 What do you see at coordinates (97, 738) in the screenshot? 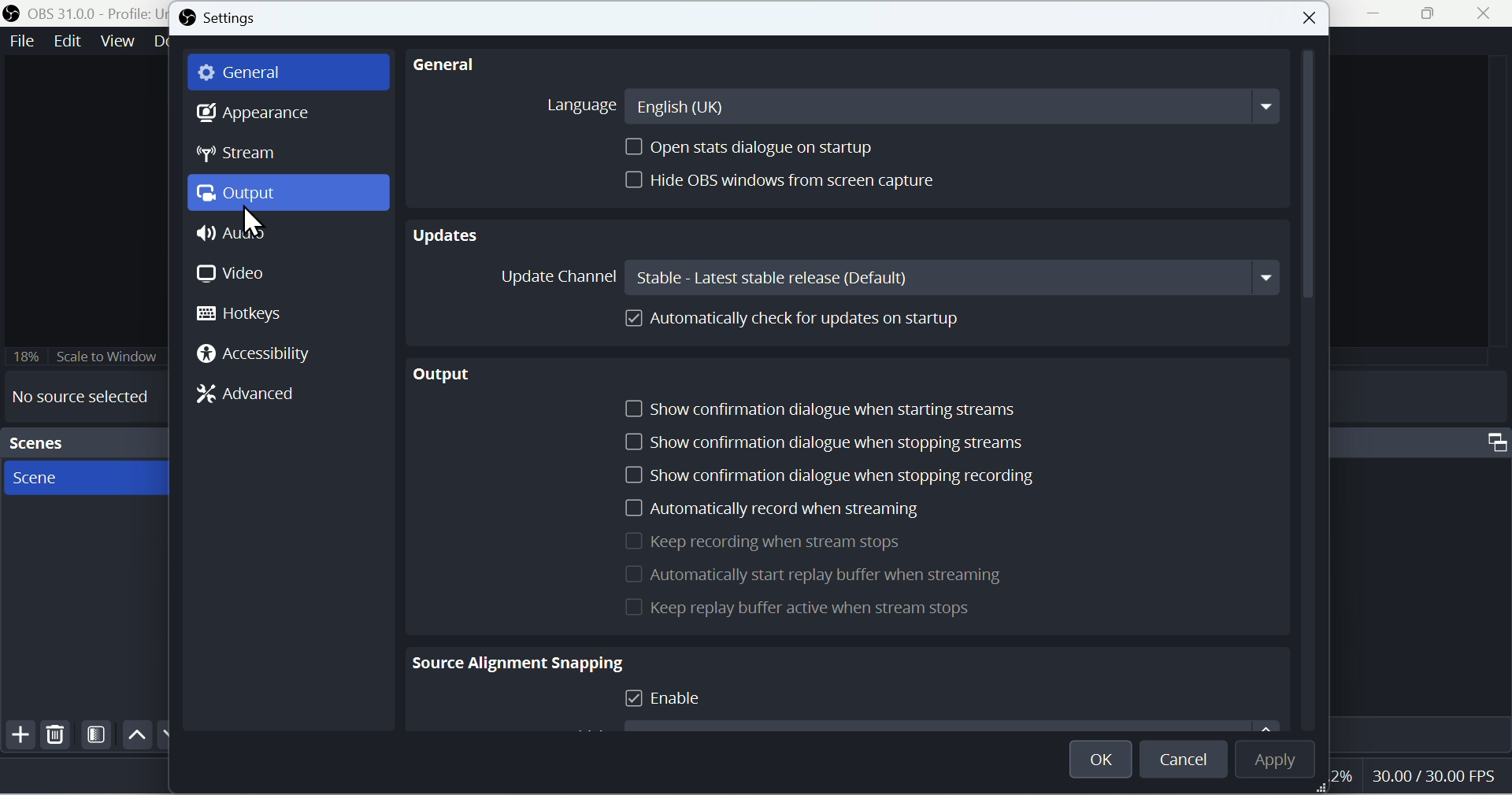
I see `Filter` at bounding box center [97, 738].